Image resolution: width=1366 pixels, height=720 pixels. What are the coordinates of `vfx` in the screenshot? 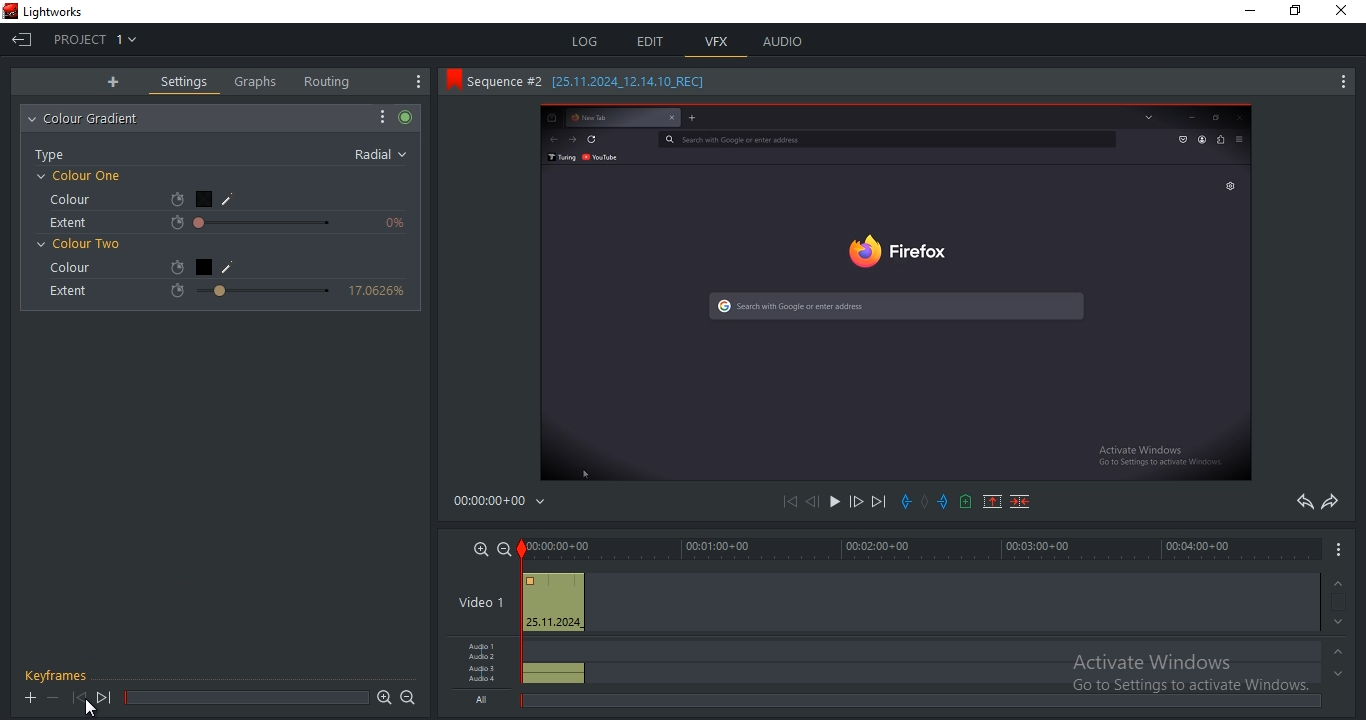 It's located at (717, 42).